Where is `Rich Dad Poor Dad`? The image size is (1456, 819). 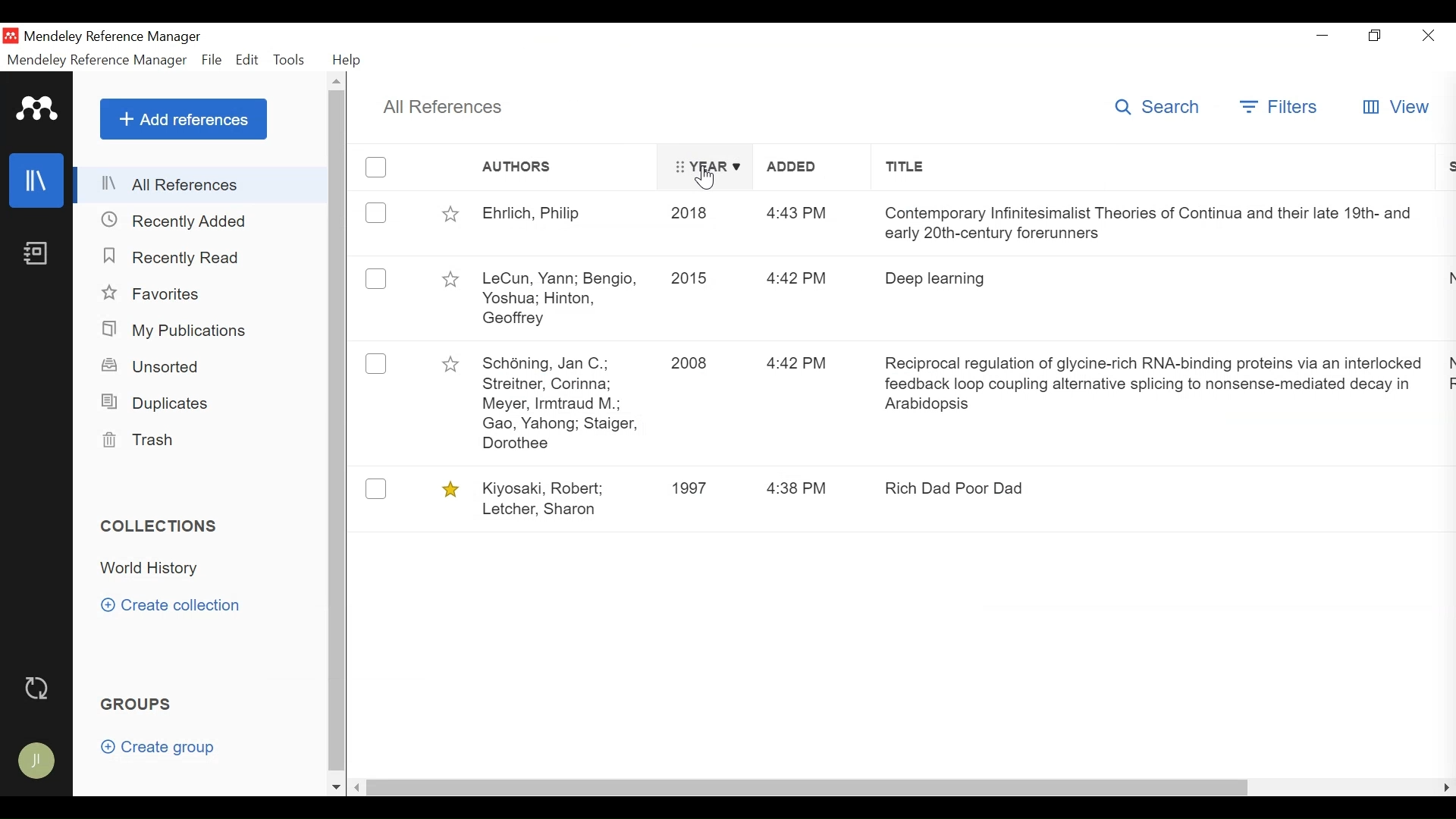
Rich Dad Poor Dad is located at coordinates (960, 488).